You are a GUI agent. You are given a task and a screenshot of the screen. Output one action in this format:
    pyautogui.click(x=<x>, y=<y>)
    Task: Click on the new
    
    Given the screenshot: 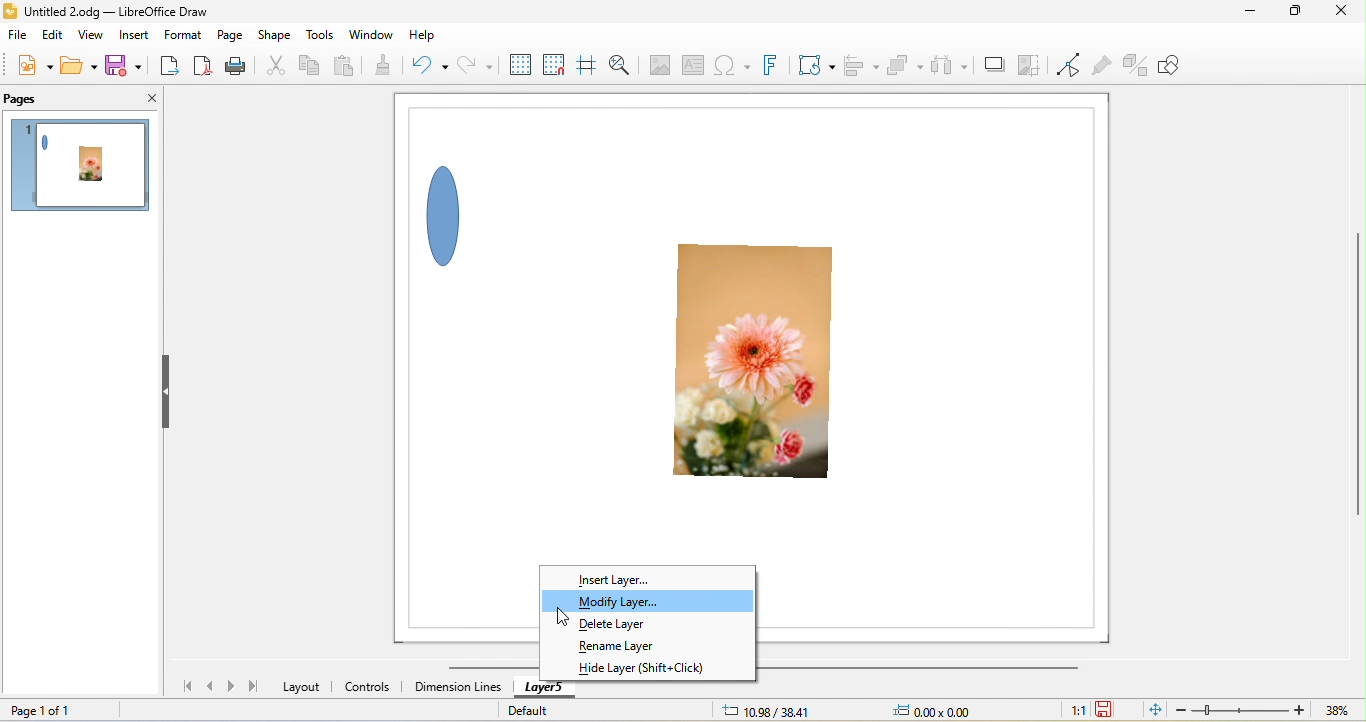 What is the action you would take?
    pyautogui.click(x=35, y=68)
    